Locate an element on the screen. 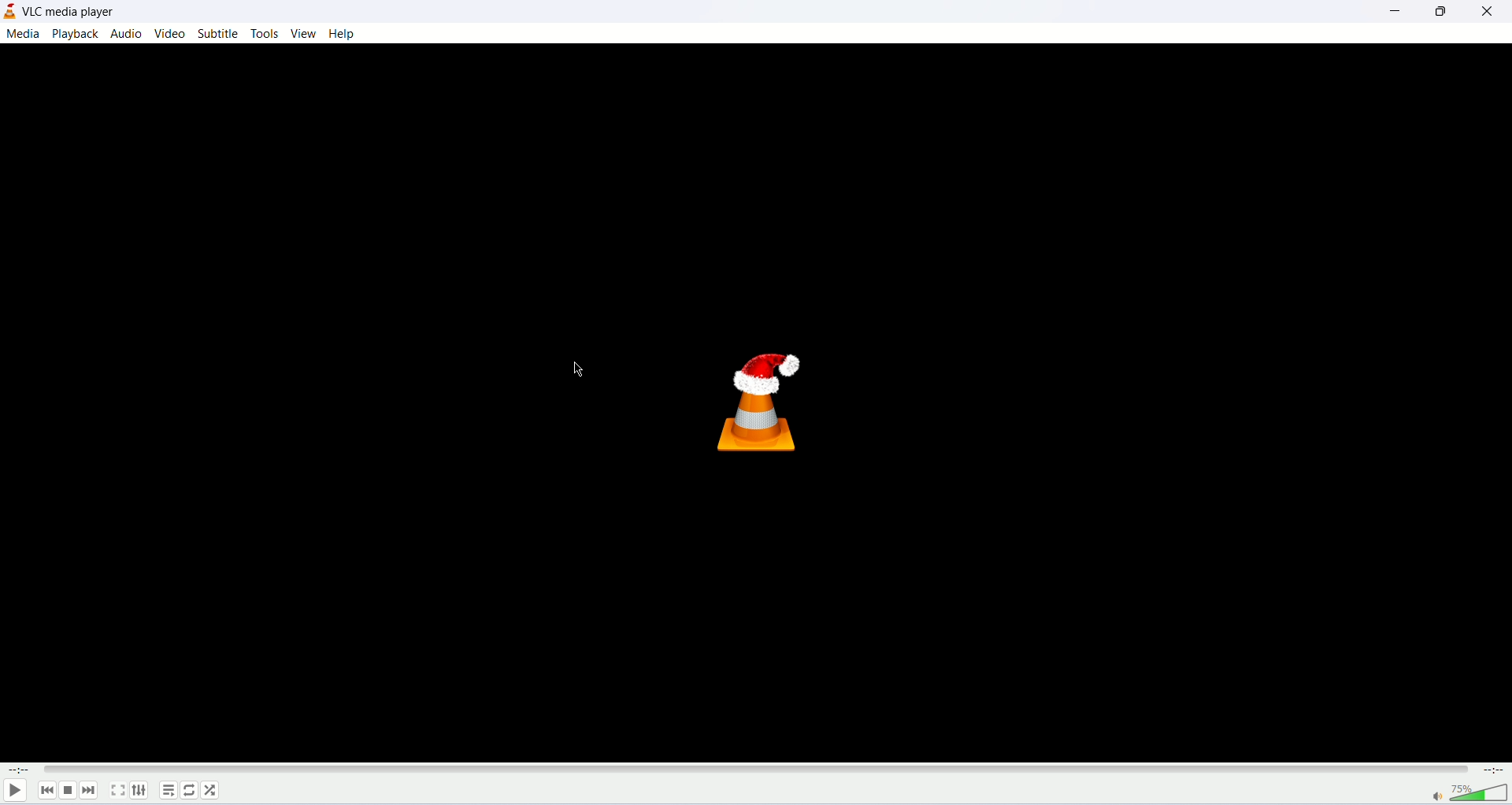 The height and width of the screenshot is (805, 1512). audio is located at coordinates (129, 33).